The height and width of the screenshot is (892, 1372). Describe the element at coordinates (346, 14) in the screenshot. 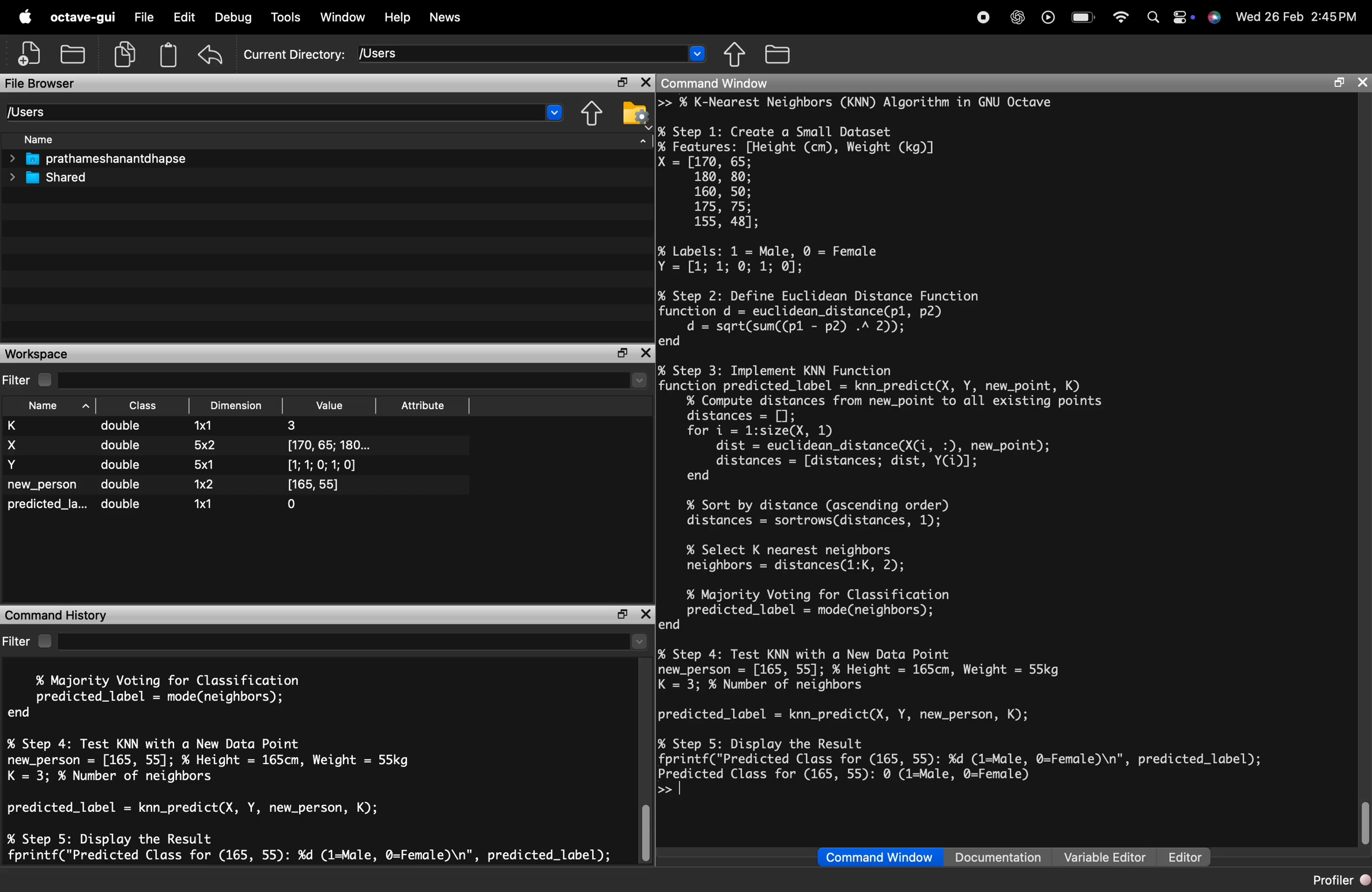

I see `Window` at that location.